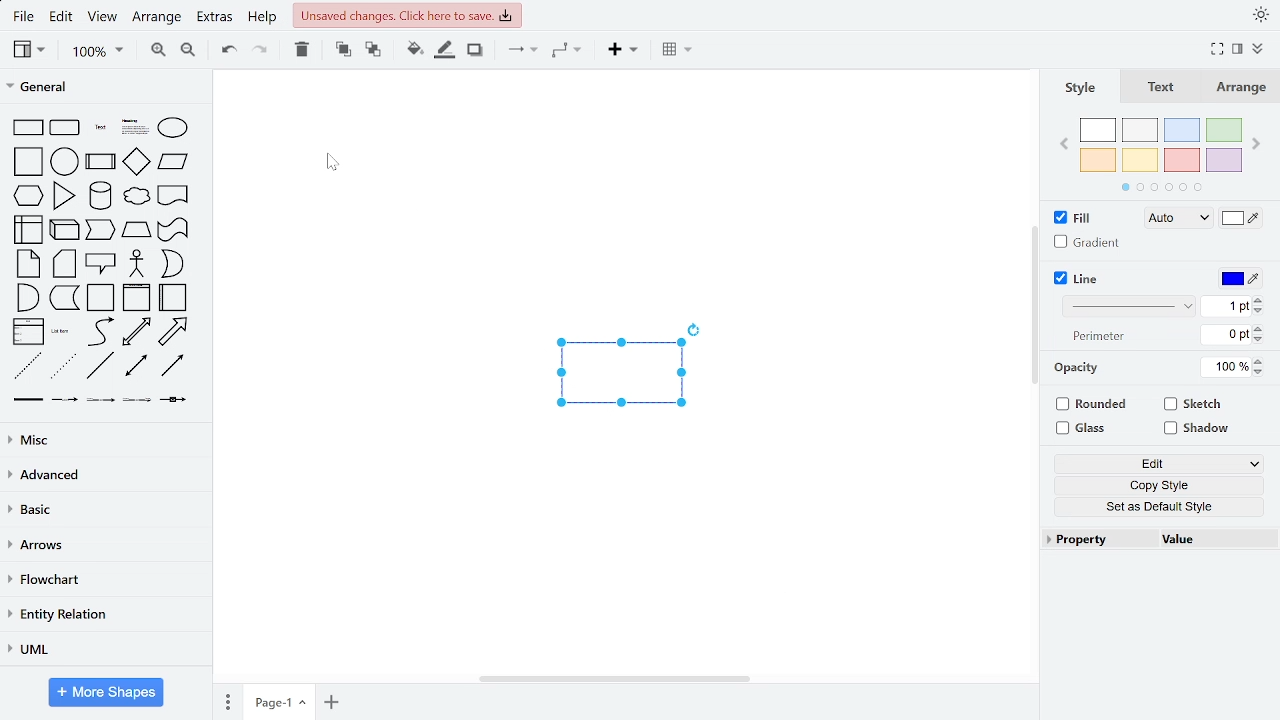 The height and width of the screenshot is (720, 1280). I want to click on basic, so click(105, 513).